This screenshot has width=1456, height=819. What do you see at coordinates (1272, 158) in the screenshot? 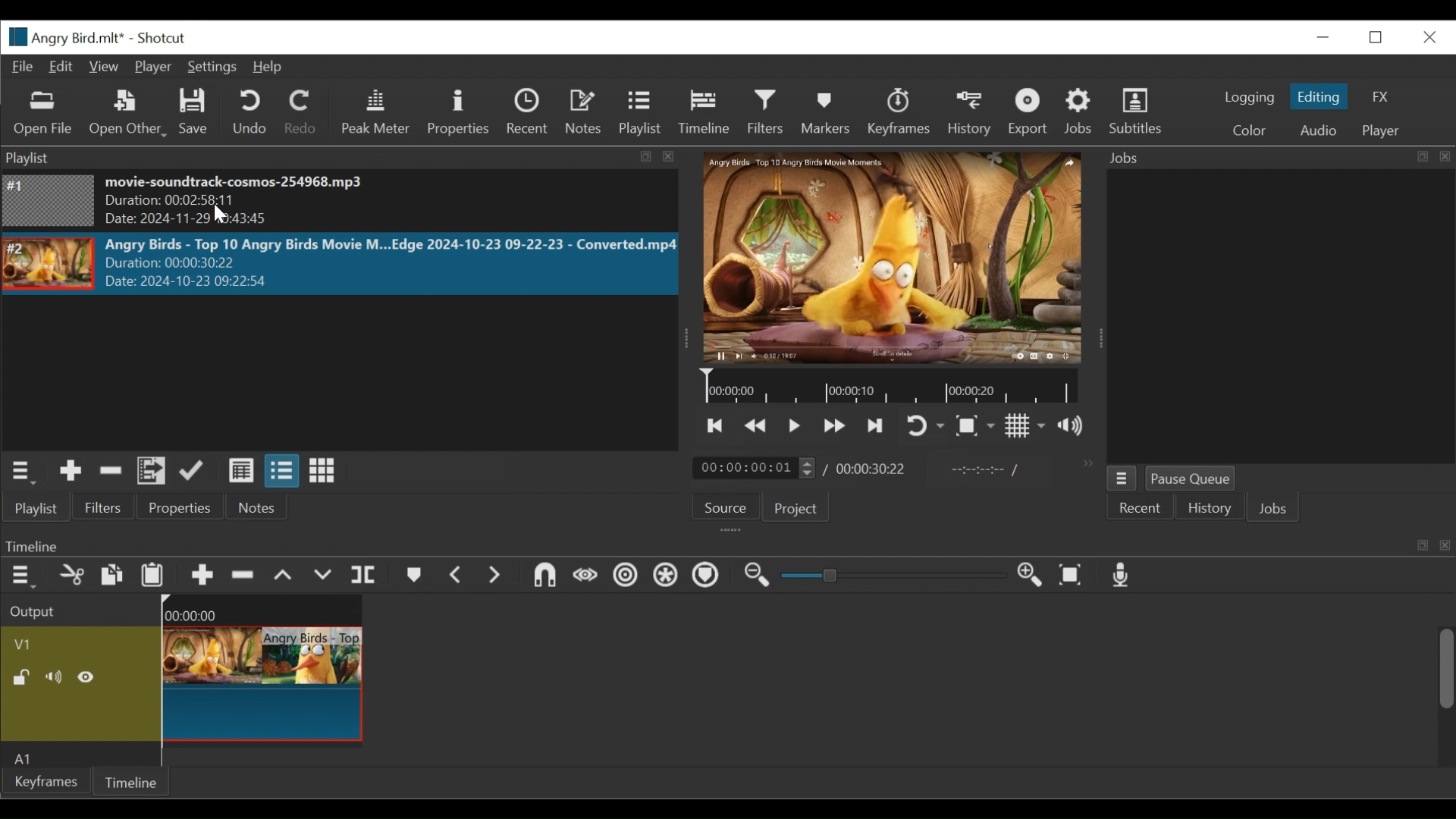
I see `Jobs Panel` at bounding box center [1272, 158].